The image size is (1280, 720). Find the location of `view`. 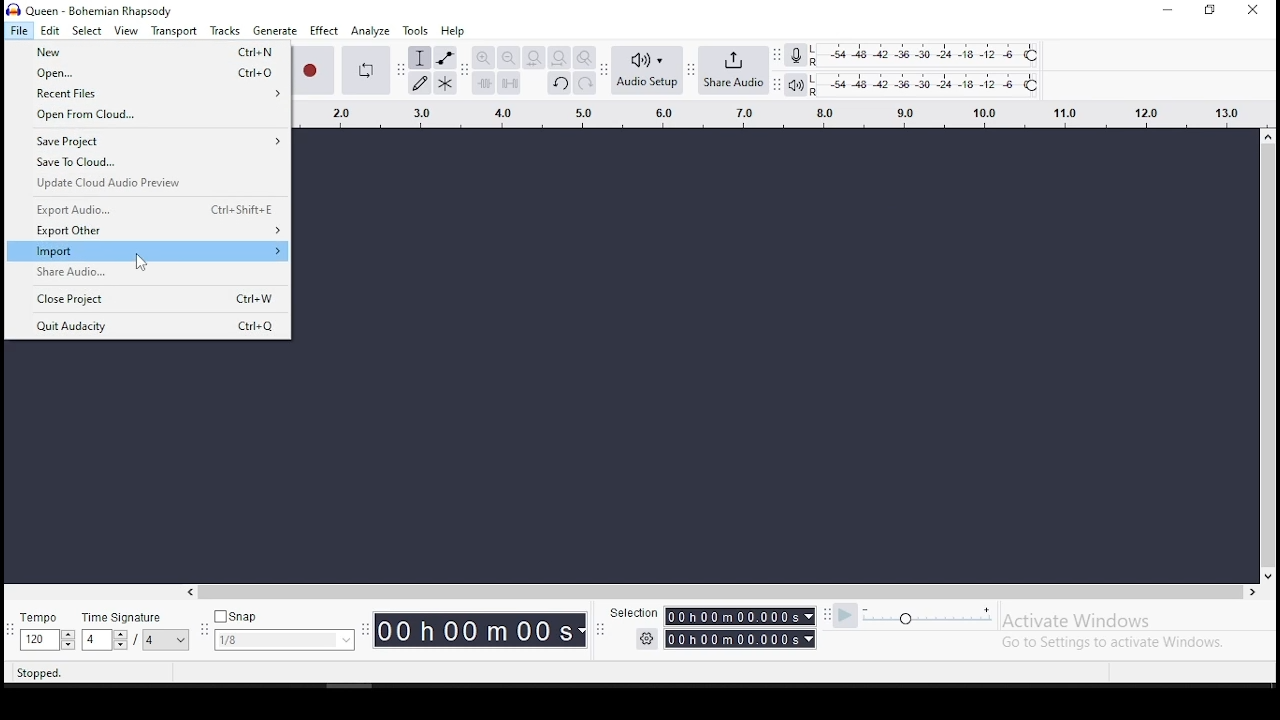

view is located at coordinates (127, 31).